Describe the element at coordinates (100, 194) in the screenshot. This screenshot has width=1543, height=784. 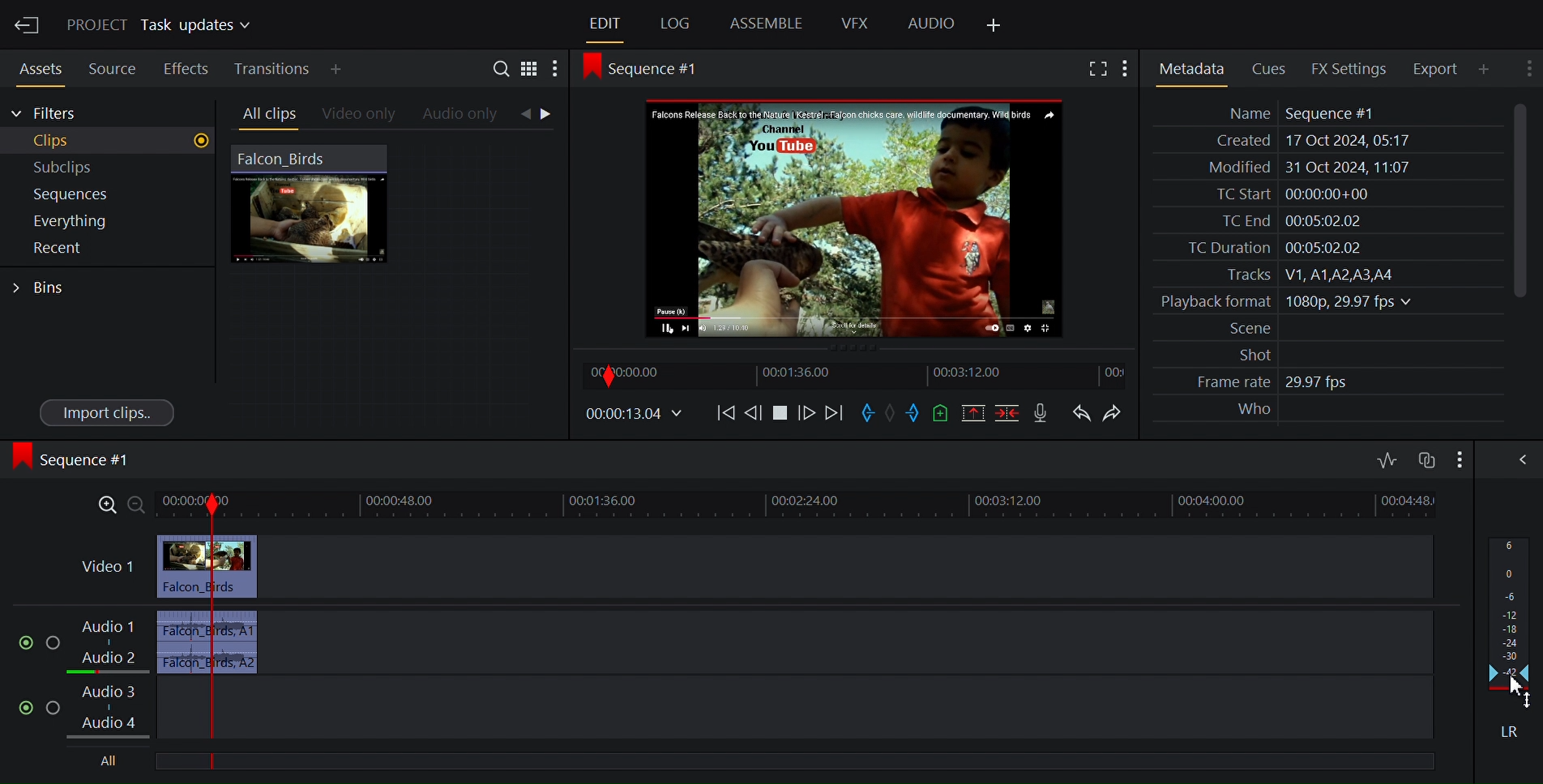
I see `Sequences` at that location.